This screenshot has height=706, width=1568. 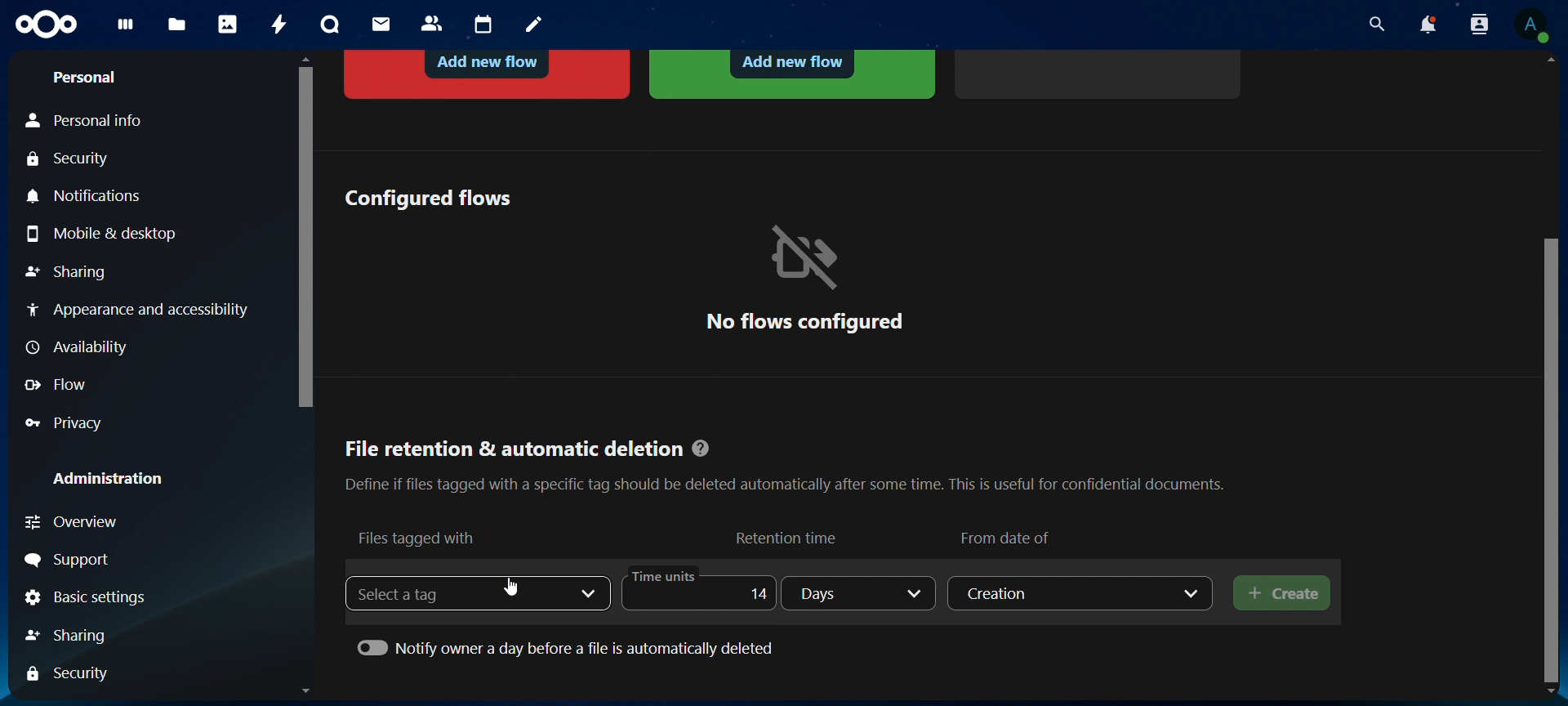 What do you see at coordinates (60, 385) in the screenshot?
I see `flow` at bounding box center [60, 385].